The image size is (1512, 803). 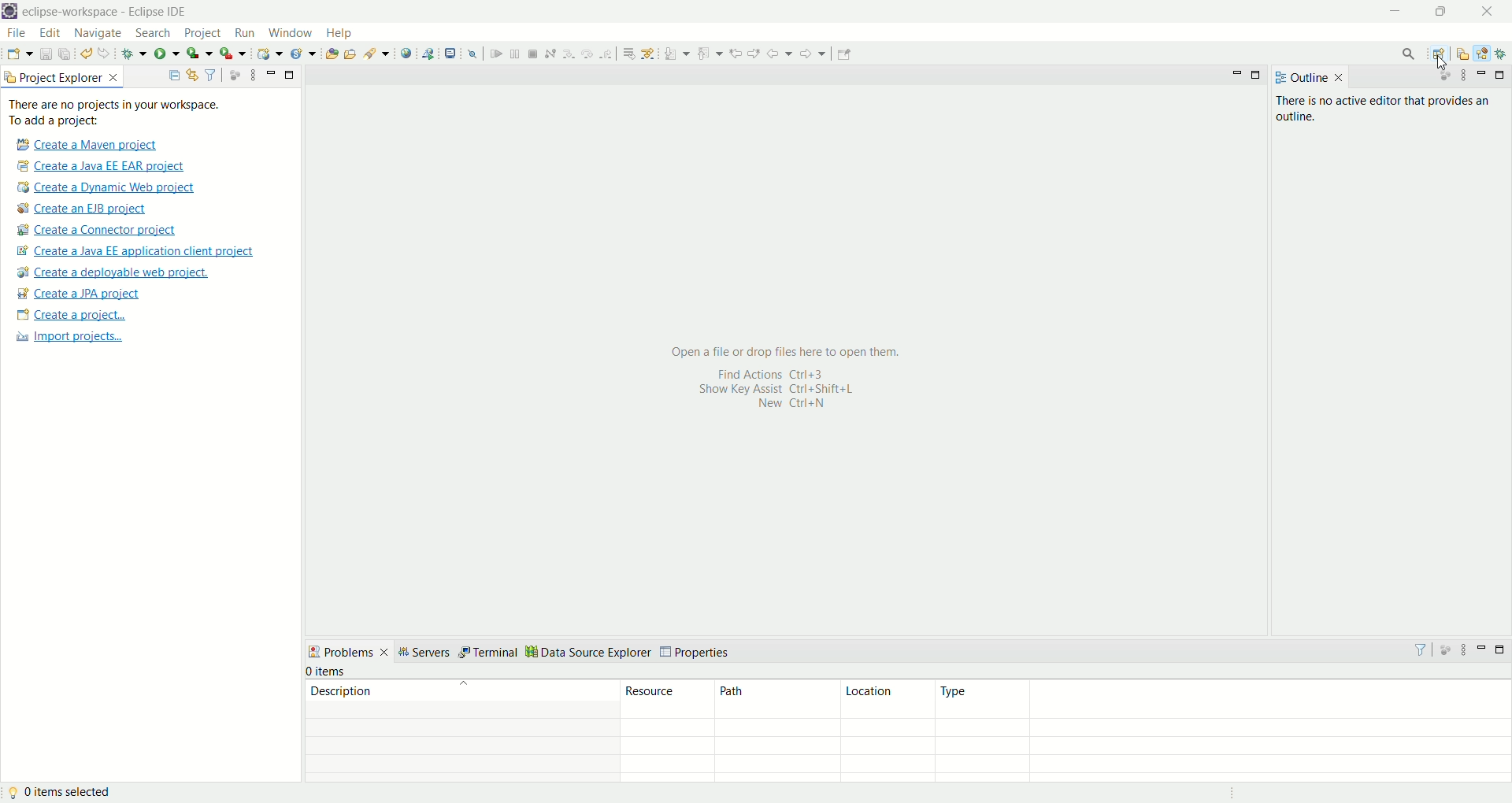 What do you see at coordinates (1406, 53) in the screenshot?
I see `search` at bounding box center [1406, 53].